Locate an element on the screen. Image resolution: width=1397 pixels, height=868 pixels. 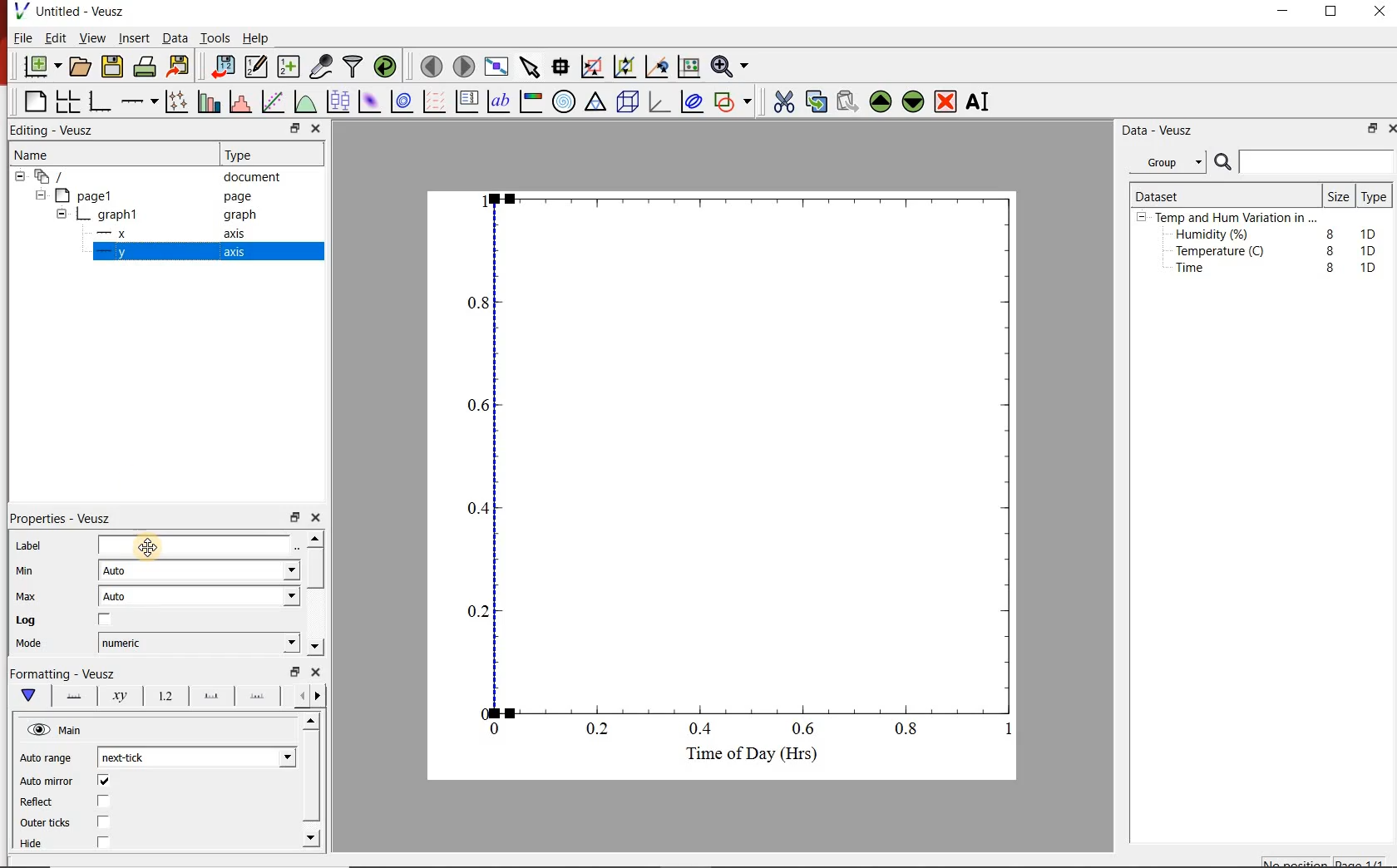
Auto is located at coordinates (123, 571).